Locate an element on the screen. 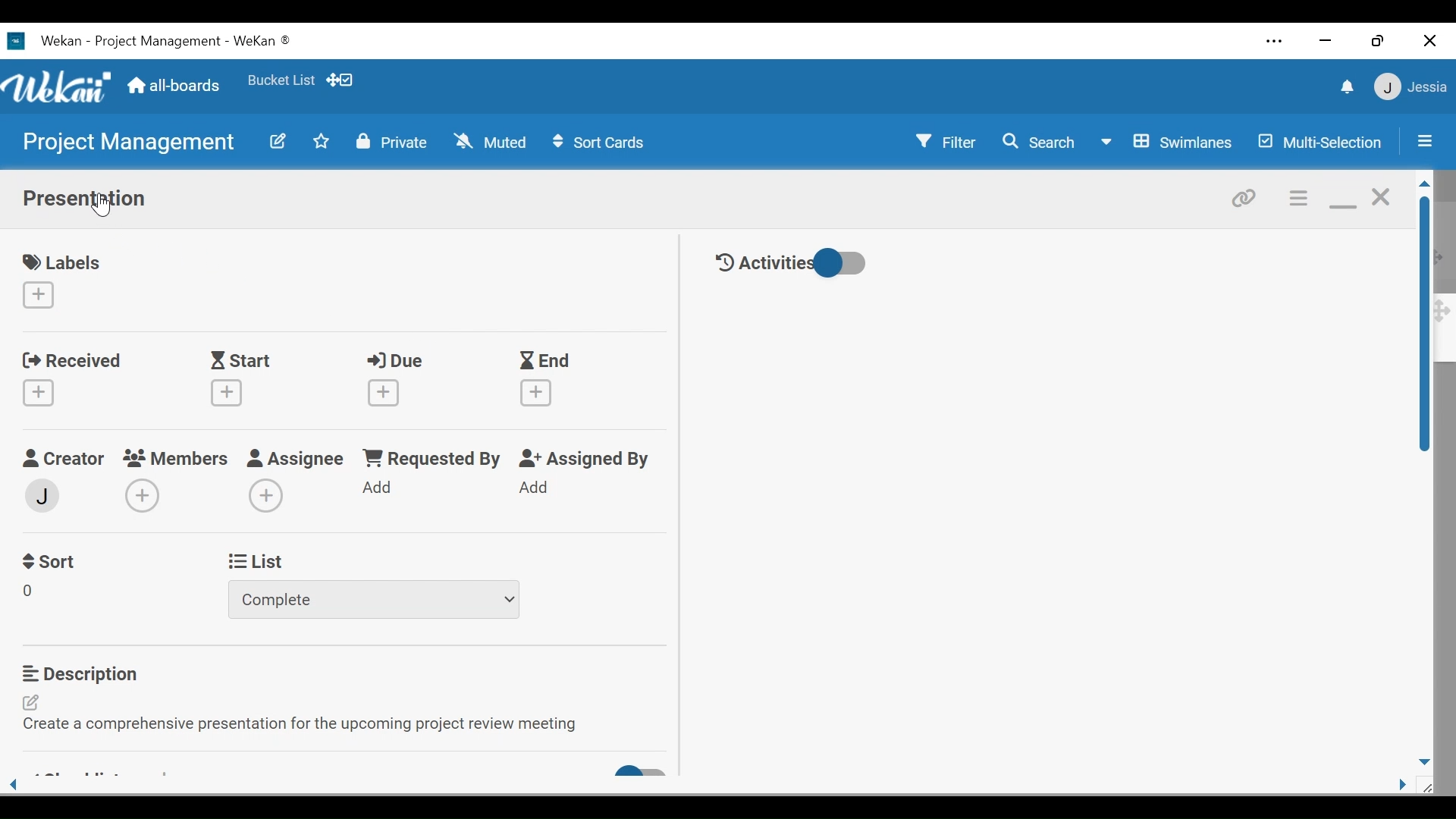 This screenshot has width=1456, height=819. Add Assigness is located at coordinates (265, 496).